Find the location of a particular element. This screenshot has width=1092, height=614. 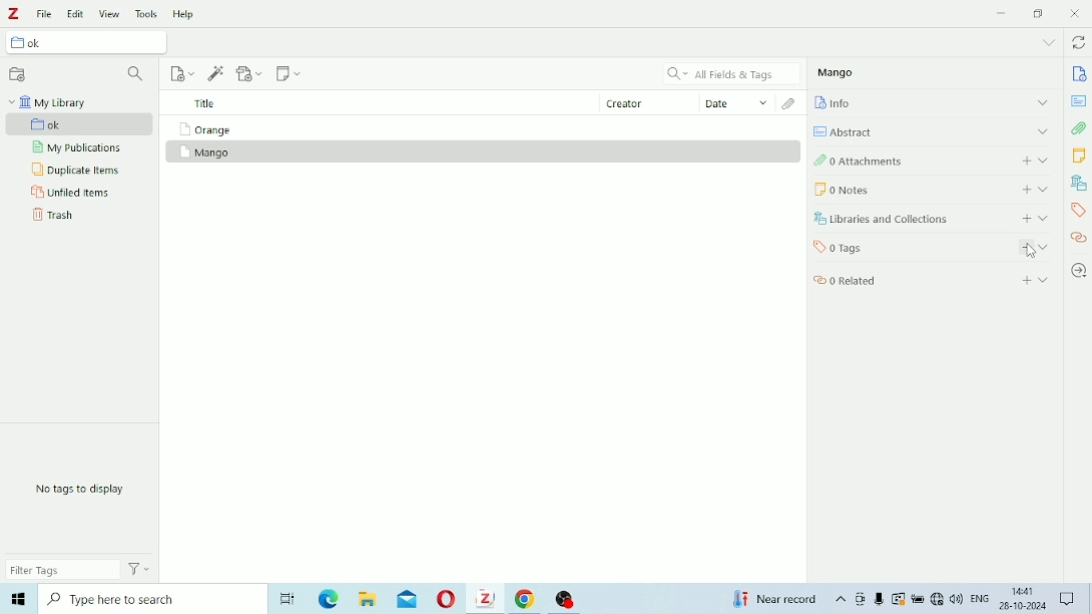

Add Attachment is located at coordinates (250, 74).